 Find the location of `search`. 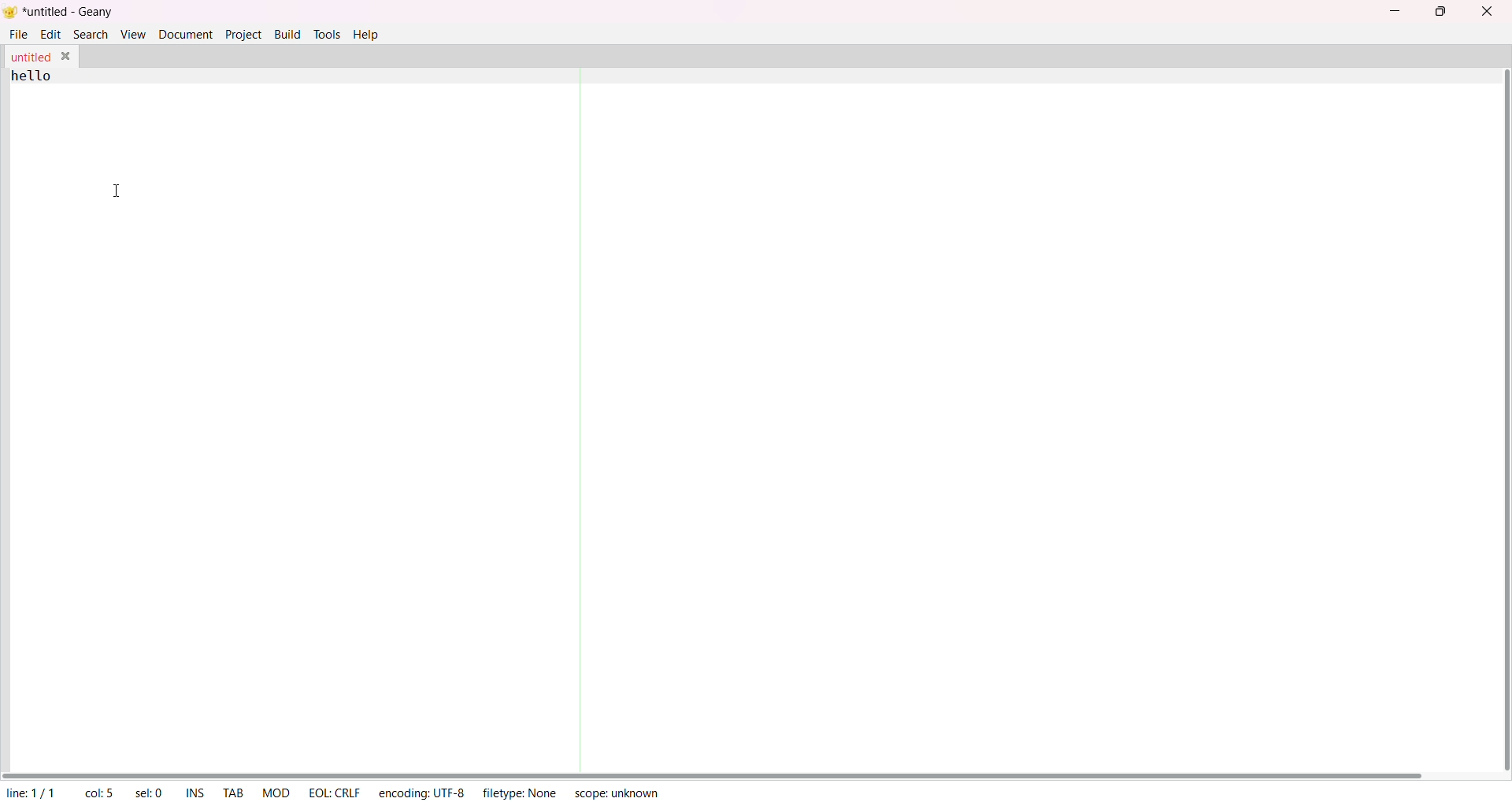

search is located at coordinates (93, 34).